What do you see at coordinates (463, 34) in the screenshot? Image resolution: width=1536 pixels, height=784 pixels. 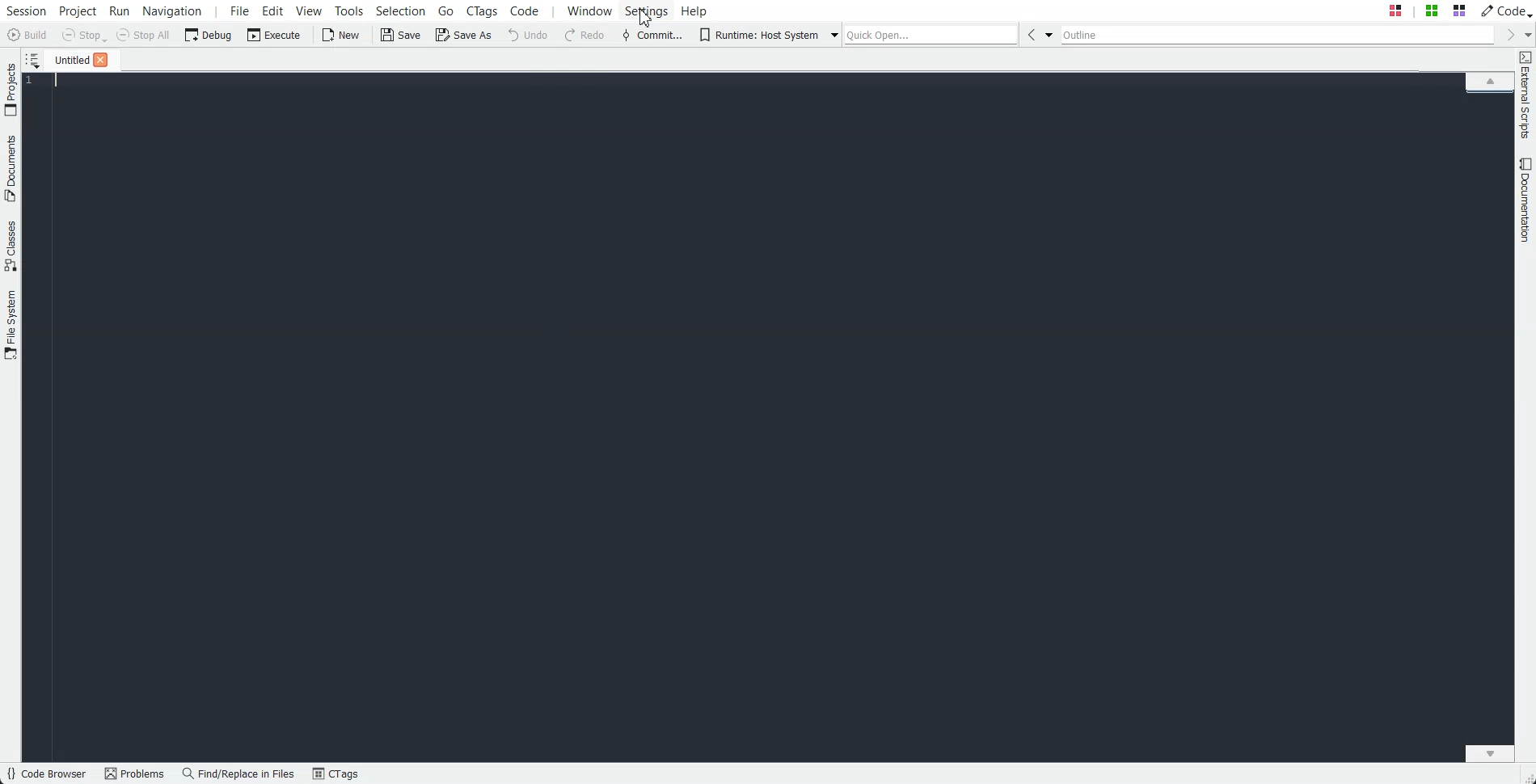 I see `Save As` at bounding box center [463, 34].